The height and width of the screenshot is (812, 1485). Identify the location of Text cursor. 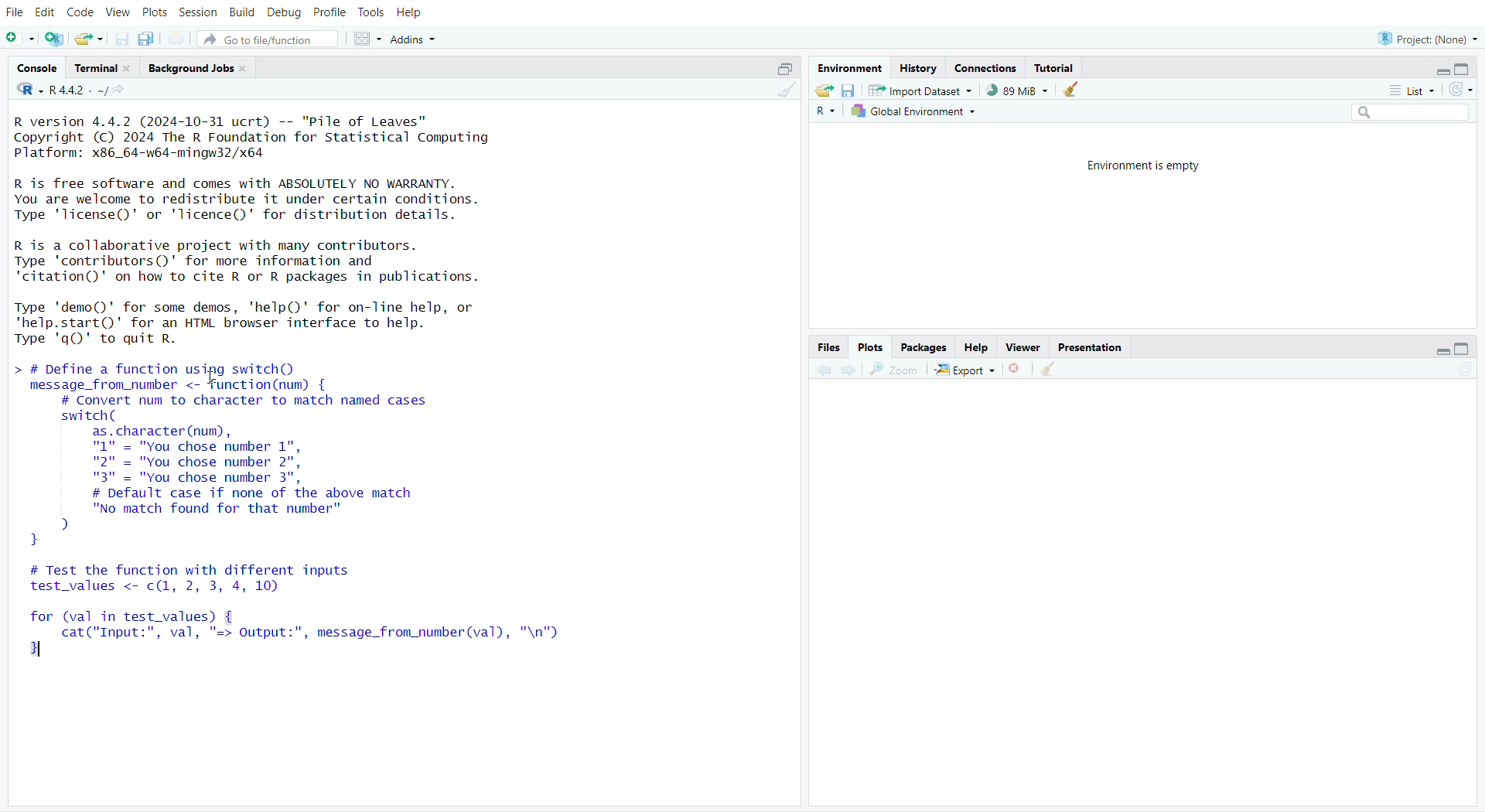
(213, 377).